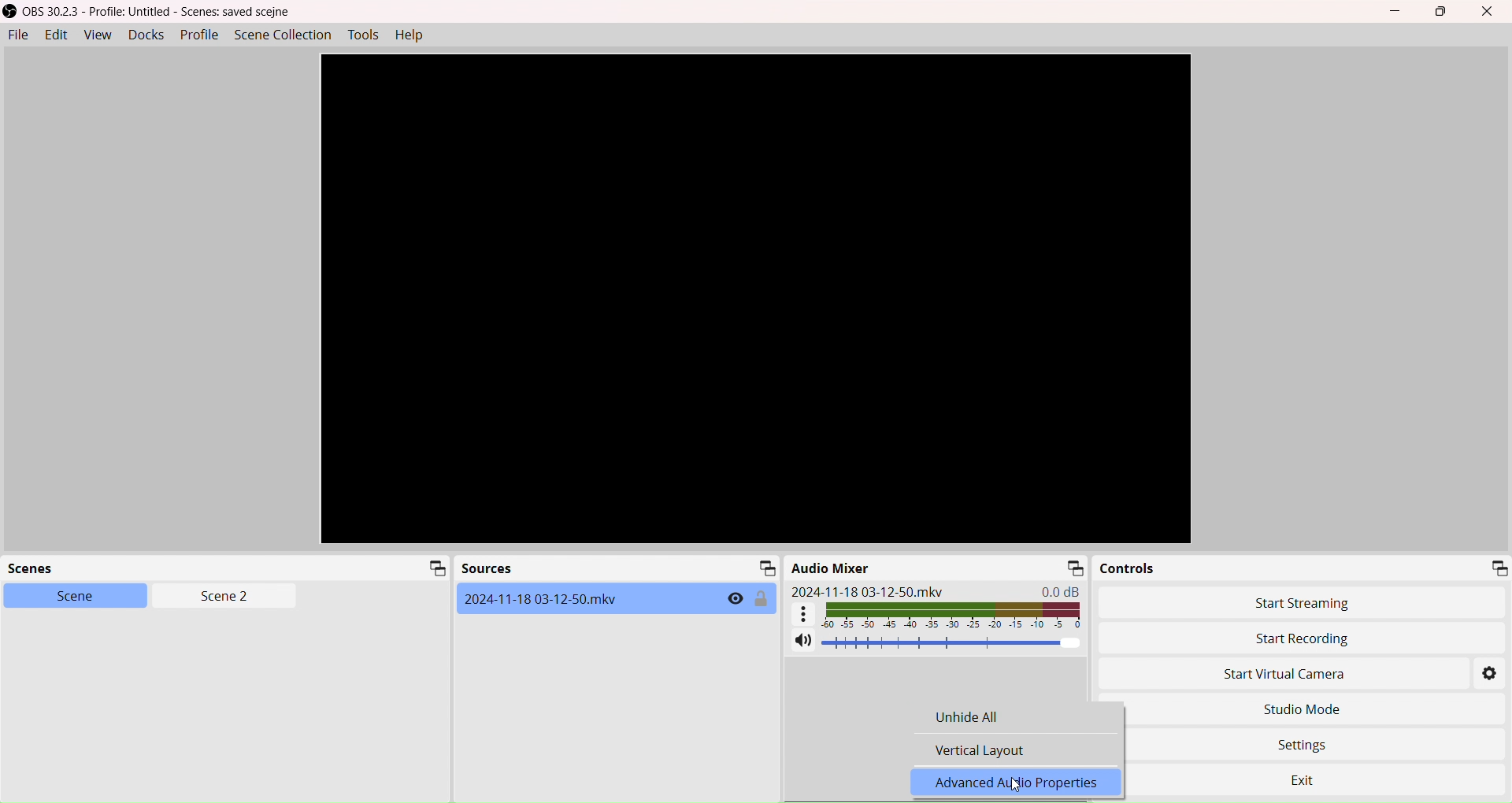 This screenshot has height=803, width=1512. I want to click on Start Recording, so click(1247, 638).